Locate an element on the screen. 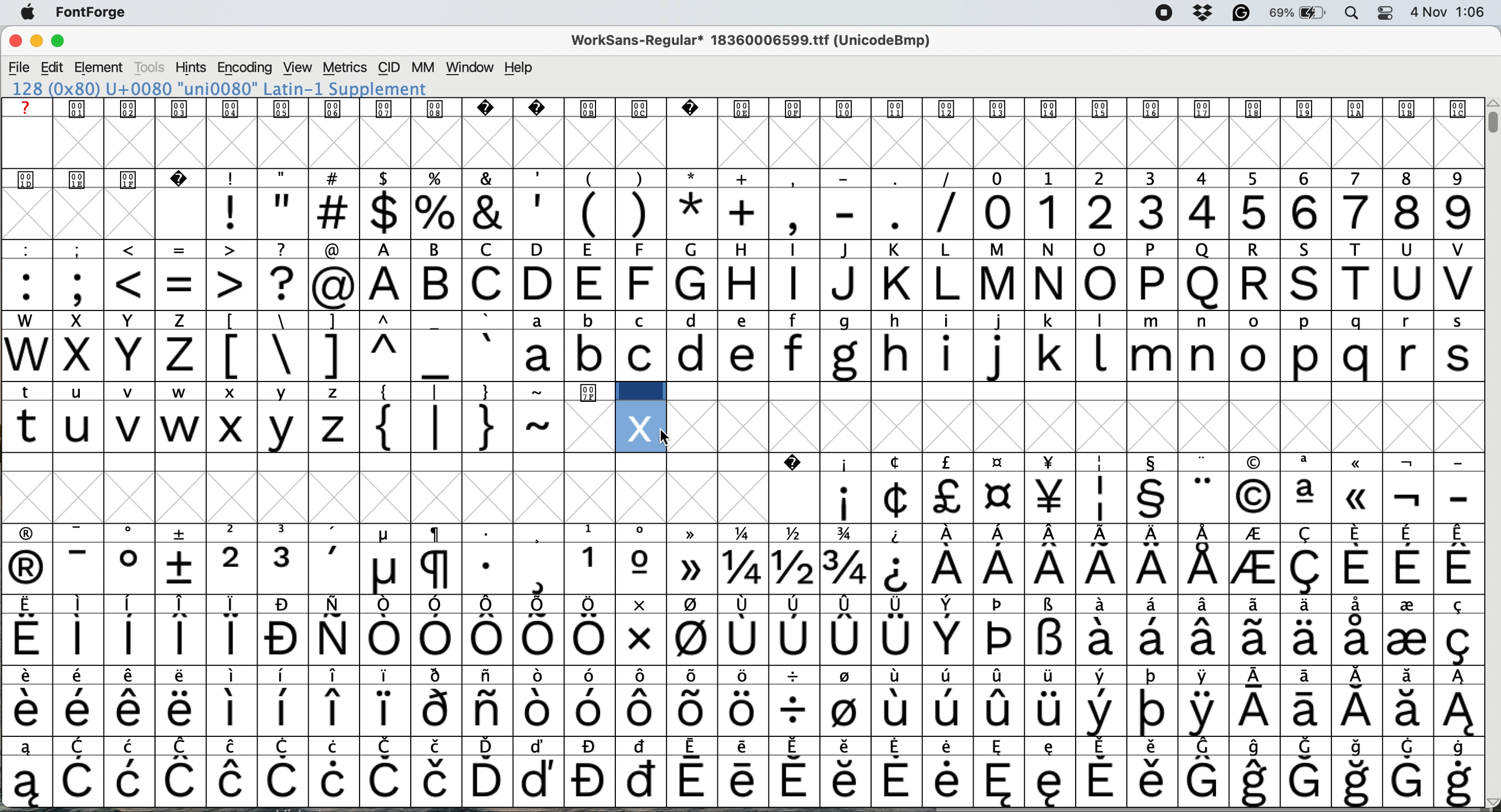  cursor is located at coordinates (664, 437).